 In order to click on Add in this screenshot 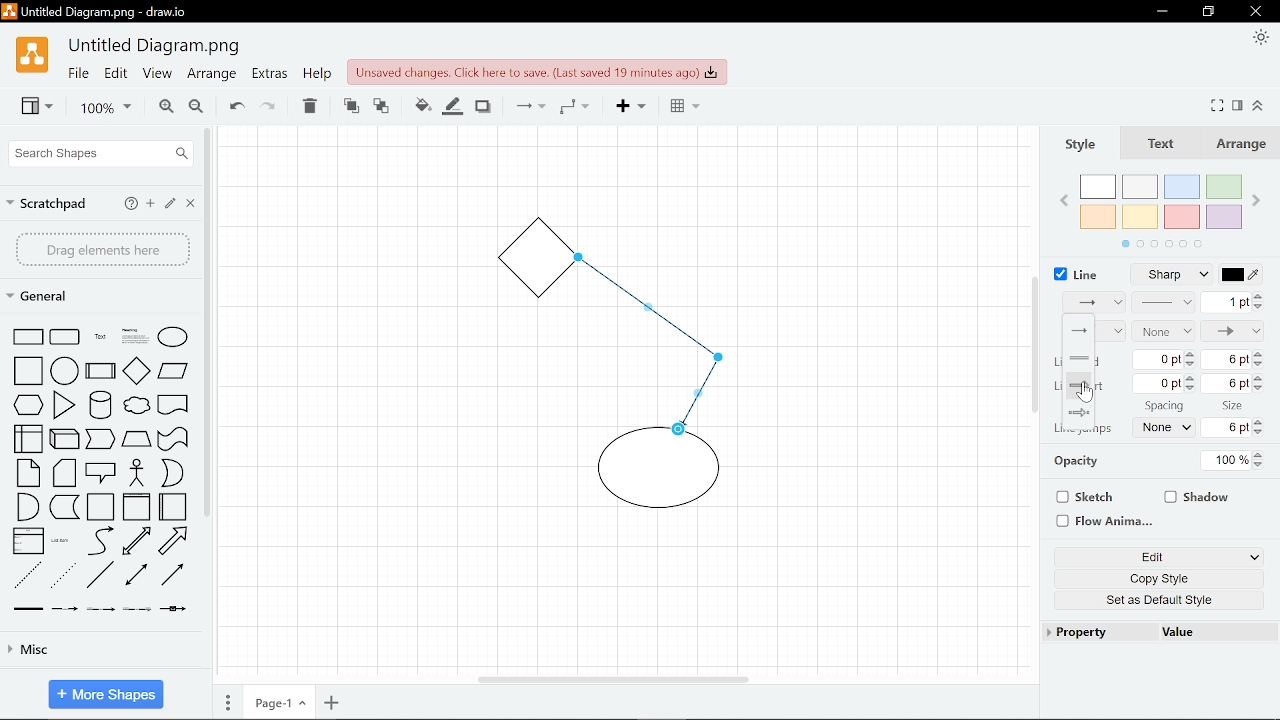, I will do `click(627, 108)`.